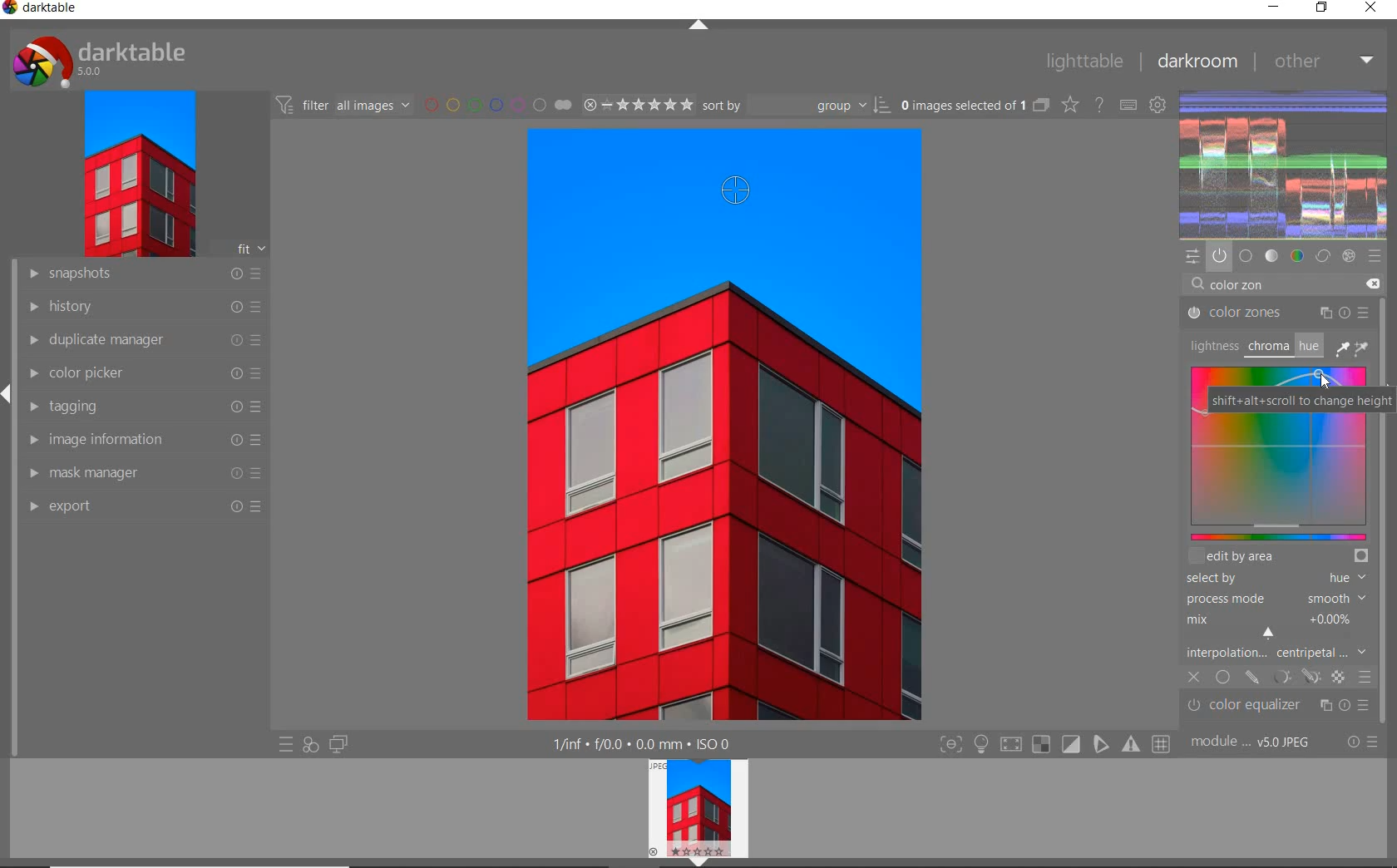  I want to click on color, so click(1296, 256).